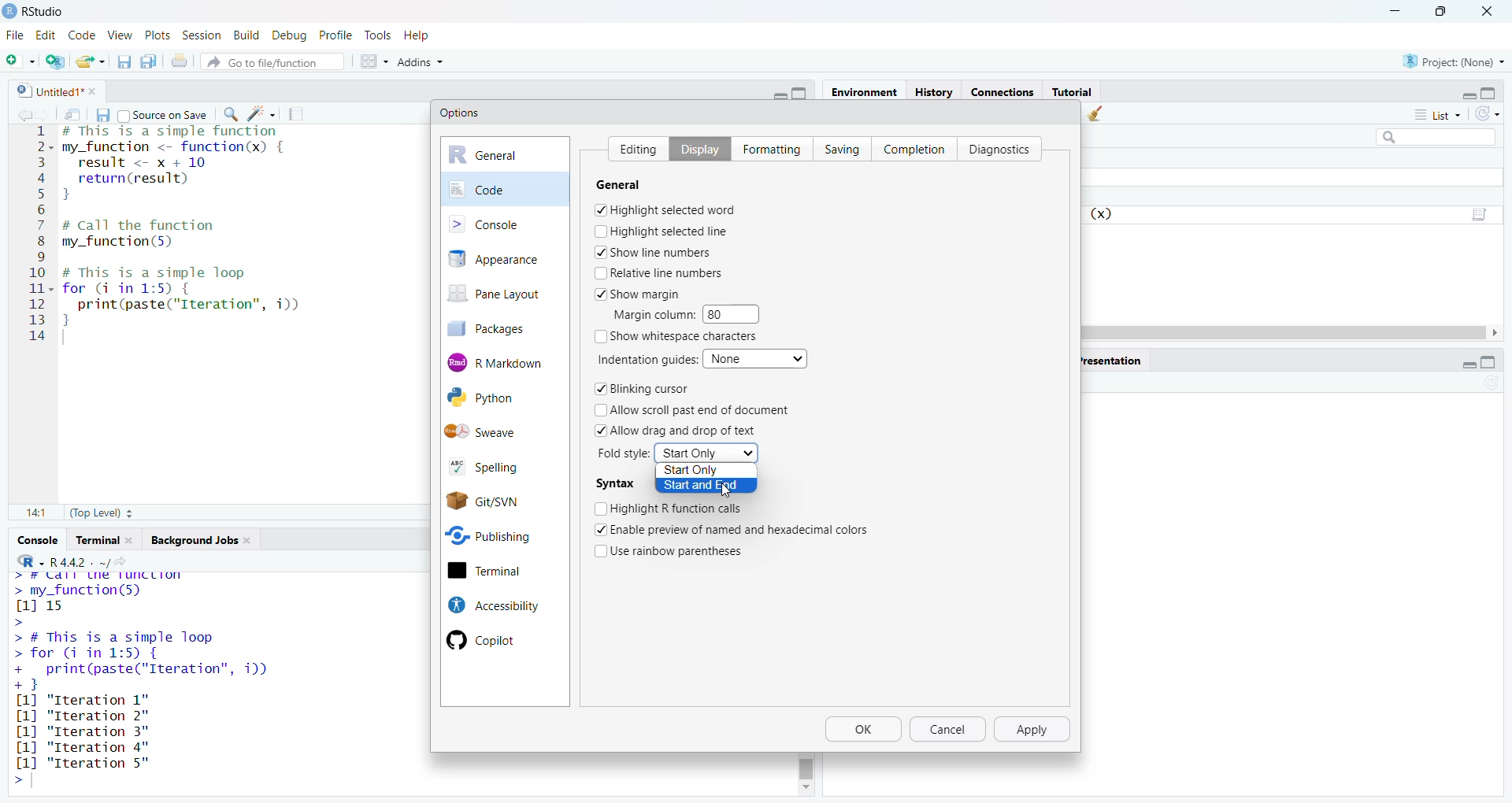 The image size is (1512, 803). I want to click on create a project, so click(55, 59).